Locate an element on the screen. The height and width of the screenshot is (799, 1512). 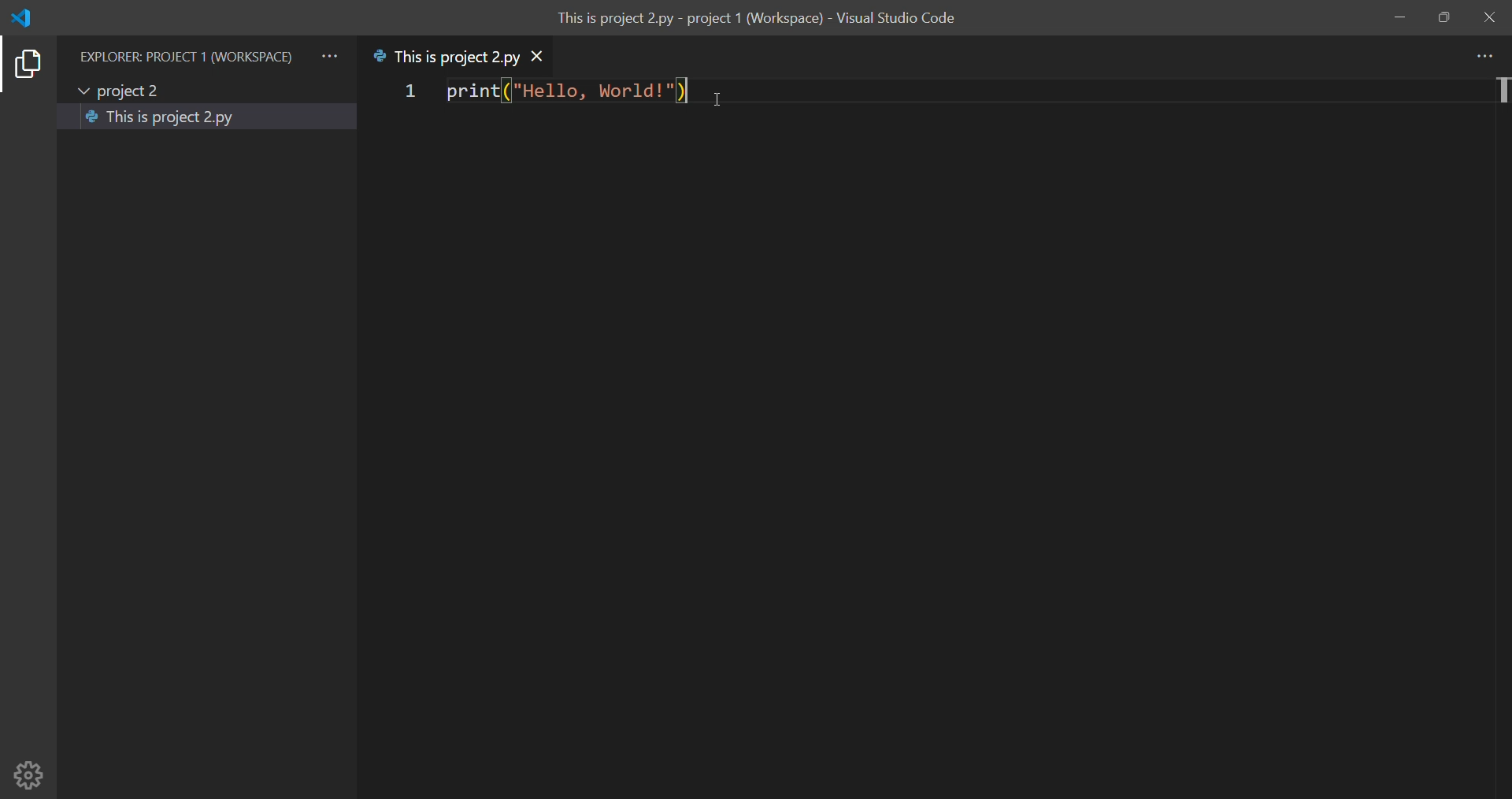
setting is located at coordinates (31, 770).